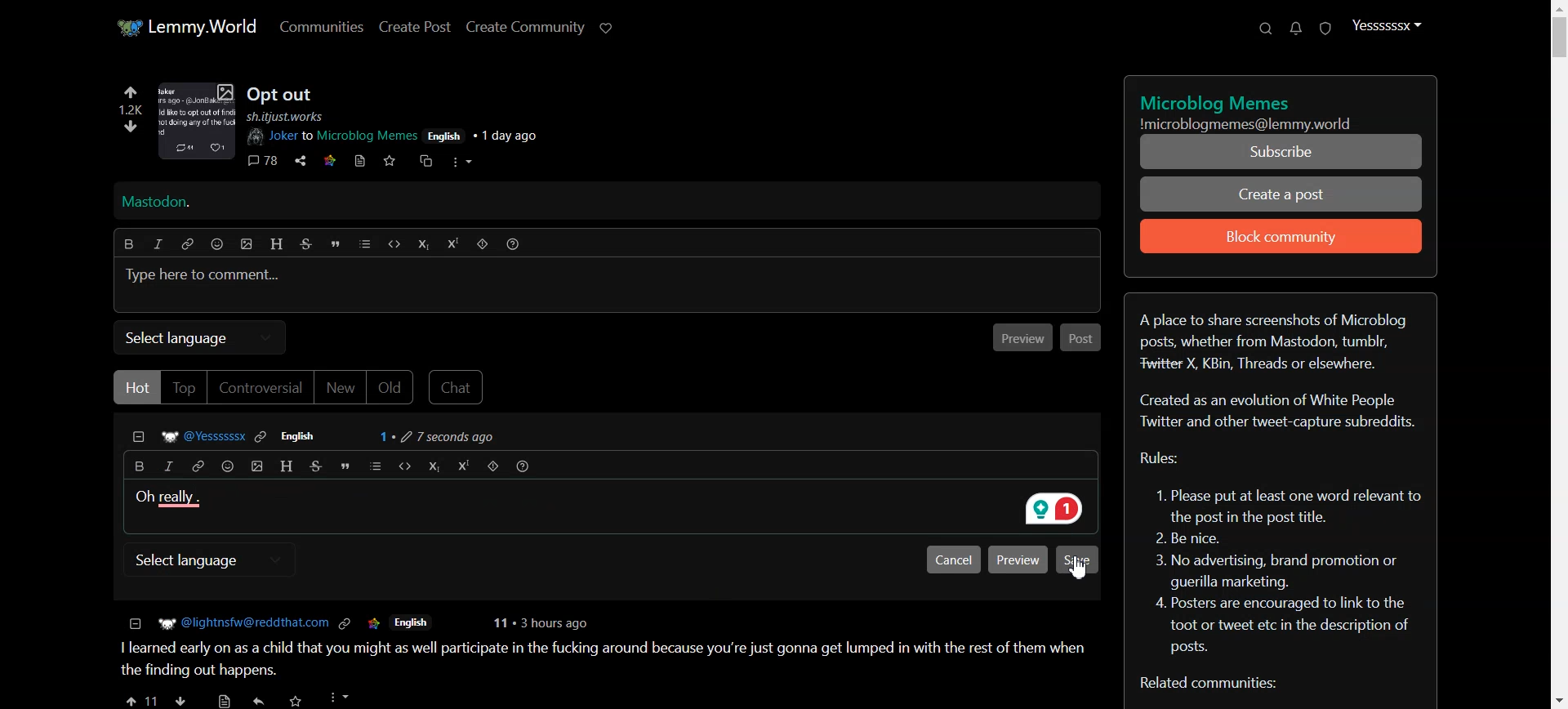 Image resolution: width=1568 pixels, height=709 pixels. Describe the element at coordinates (1080, 569) in the screenshot. I see `Cursor` at that location.